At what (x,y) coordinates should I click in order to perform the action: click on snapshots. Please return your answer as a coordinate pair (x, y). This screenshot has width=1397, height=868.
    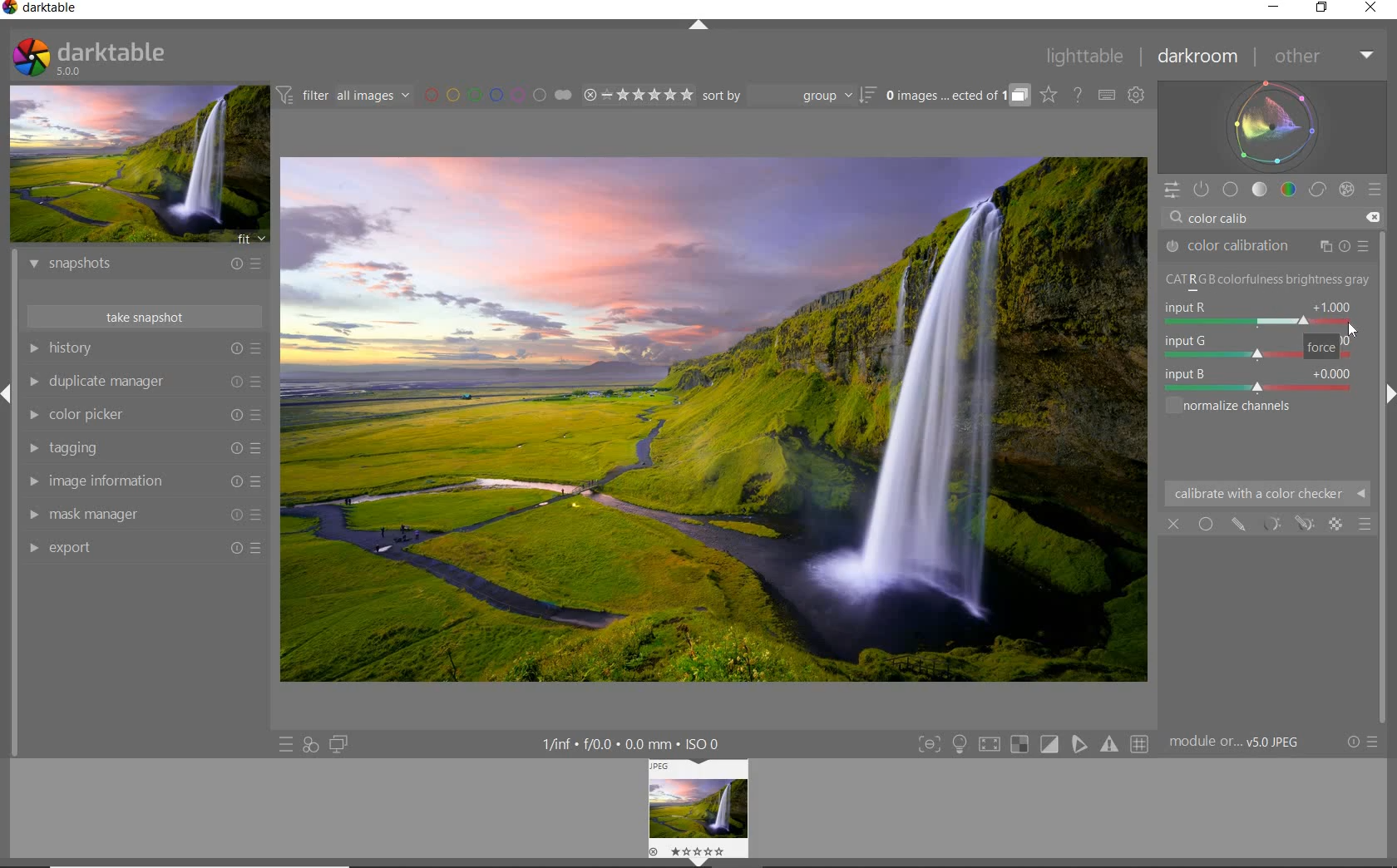
    Looking at the image, I should click on (149, 266).